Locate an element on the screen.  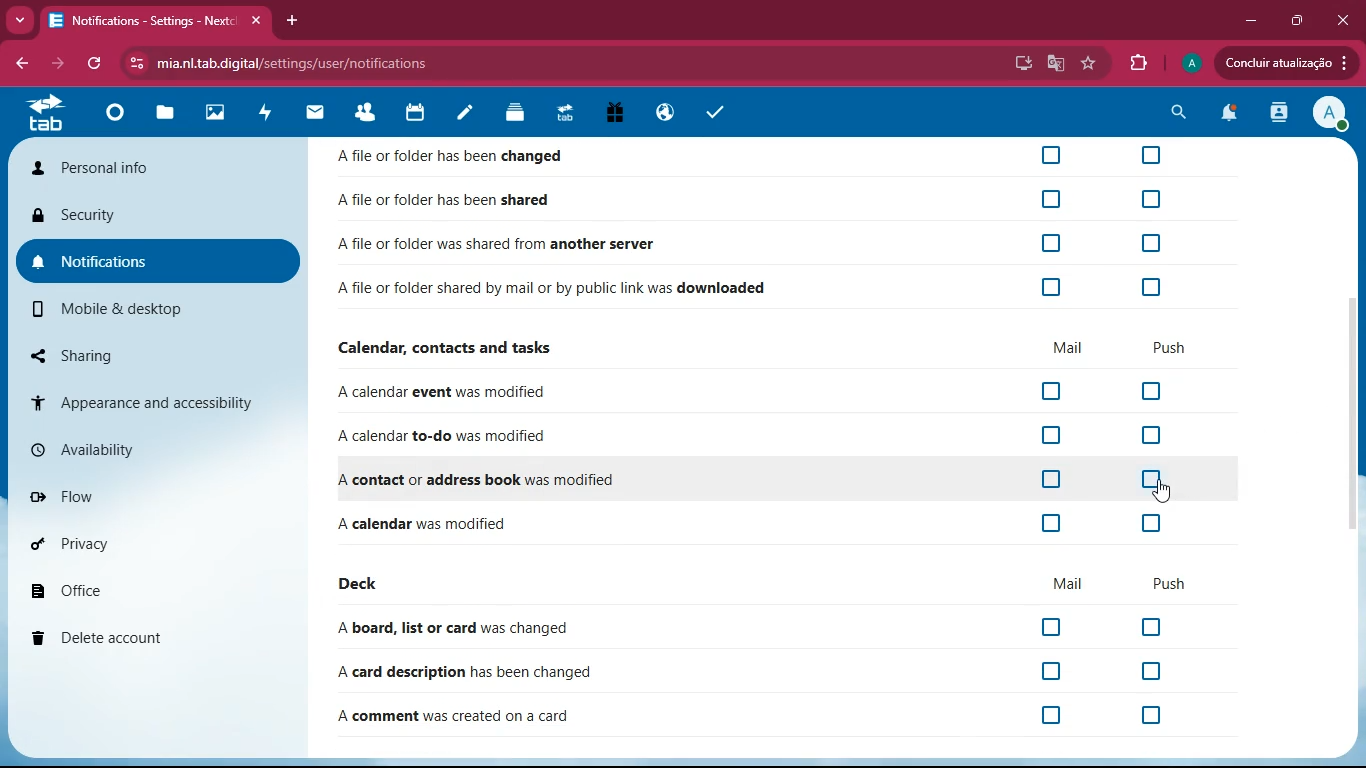
notifications is located at coordinates (1227, 116).